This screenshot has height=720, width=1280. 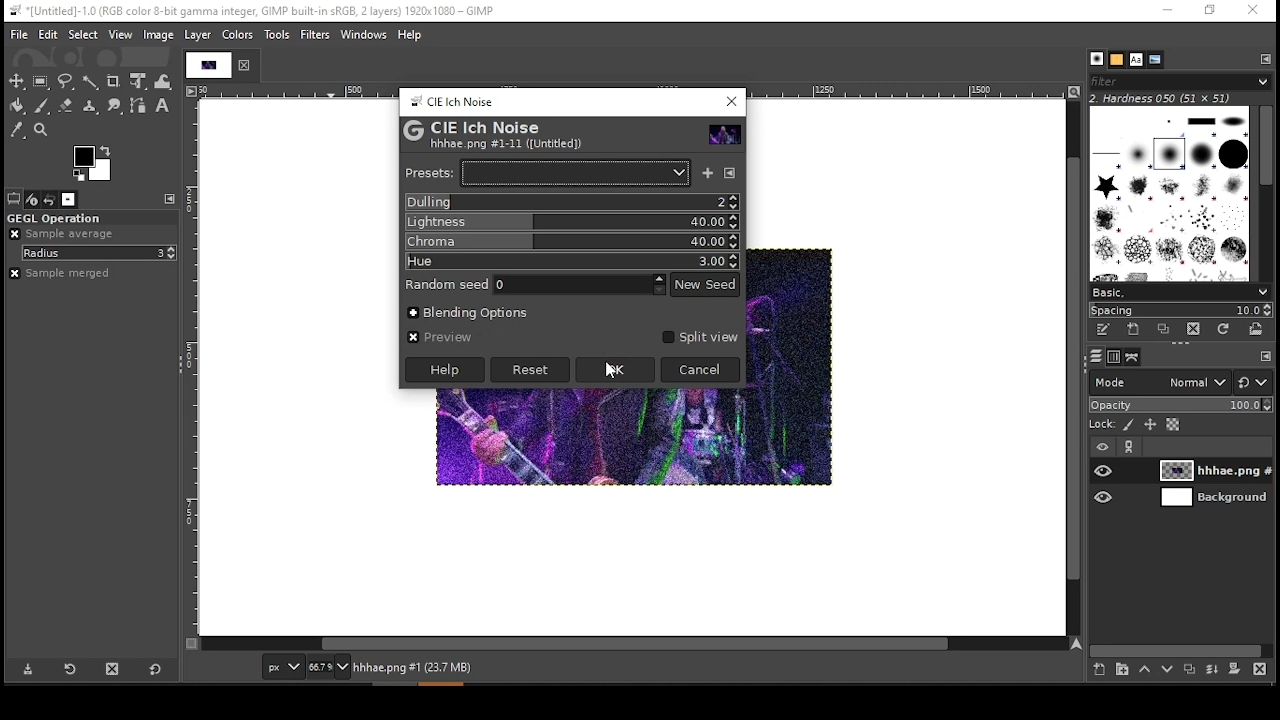 I want to click on color, so click(x=91, y=163).